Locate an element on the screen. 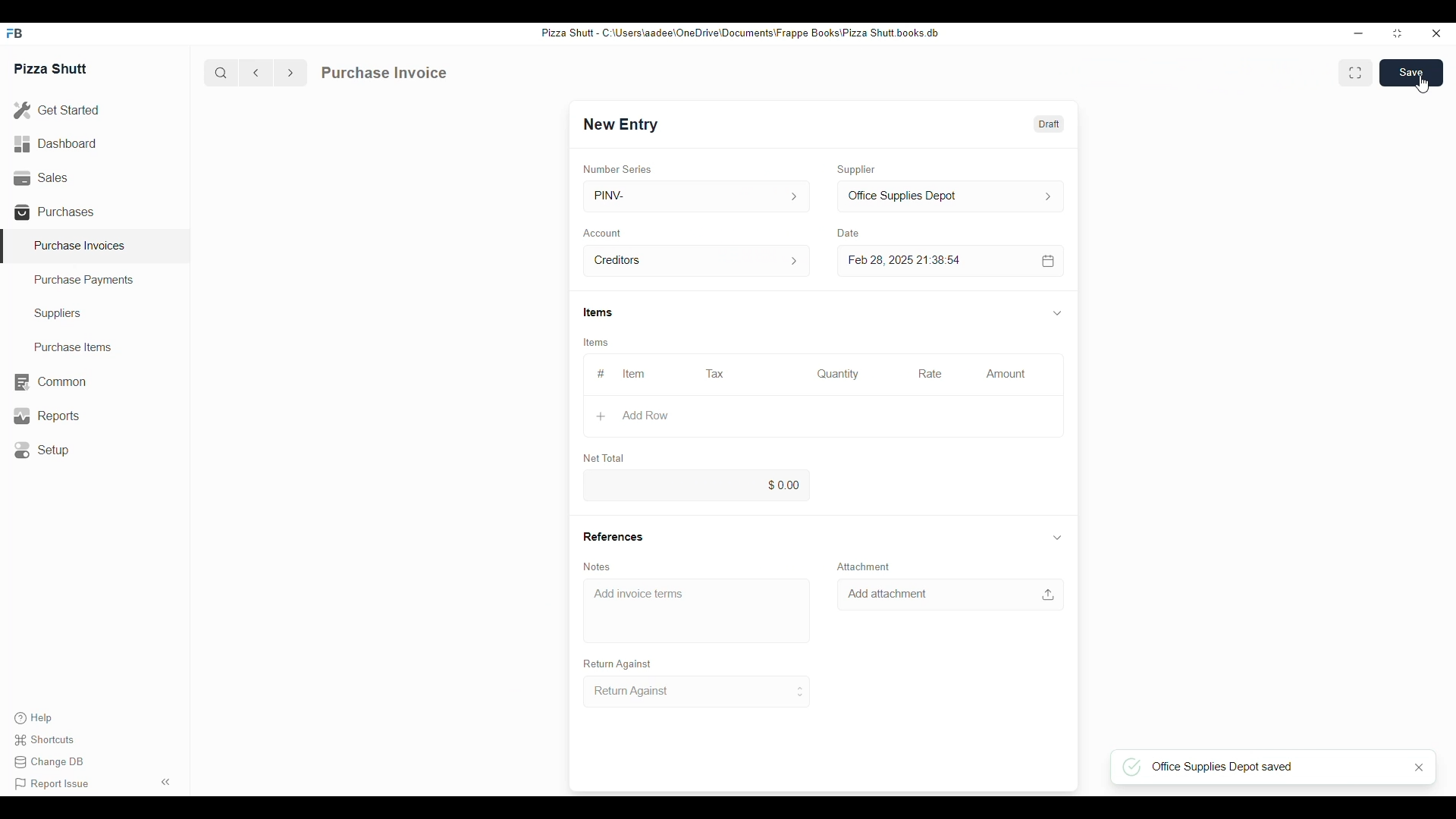 This screenshot has width=1456, height=819. Reports is located at coordinates (45, 416).